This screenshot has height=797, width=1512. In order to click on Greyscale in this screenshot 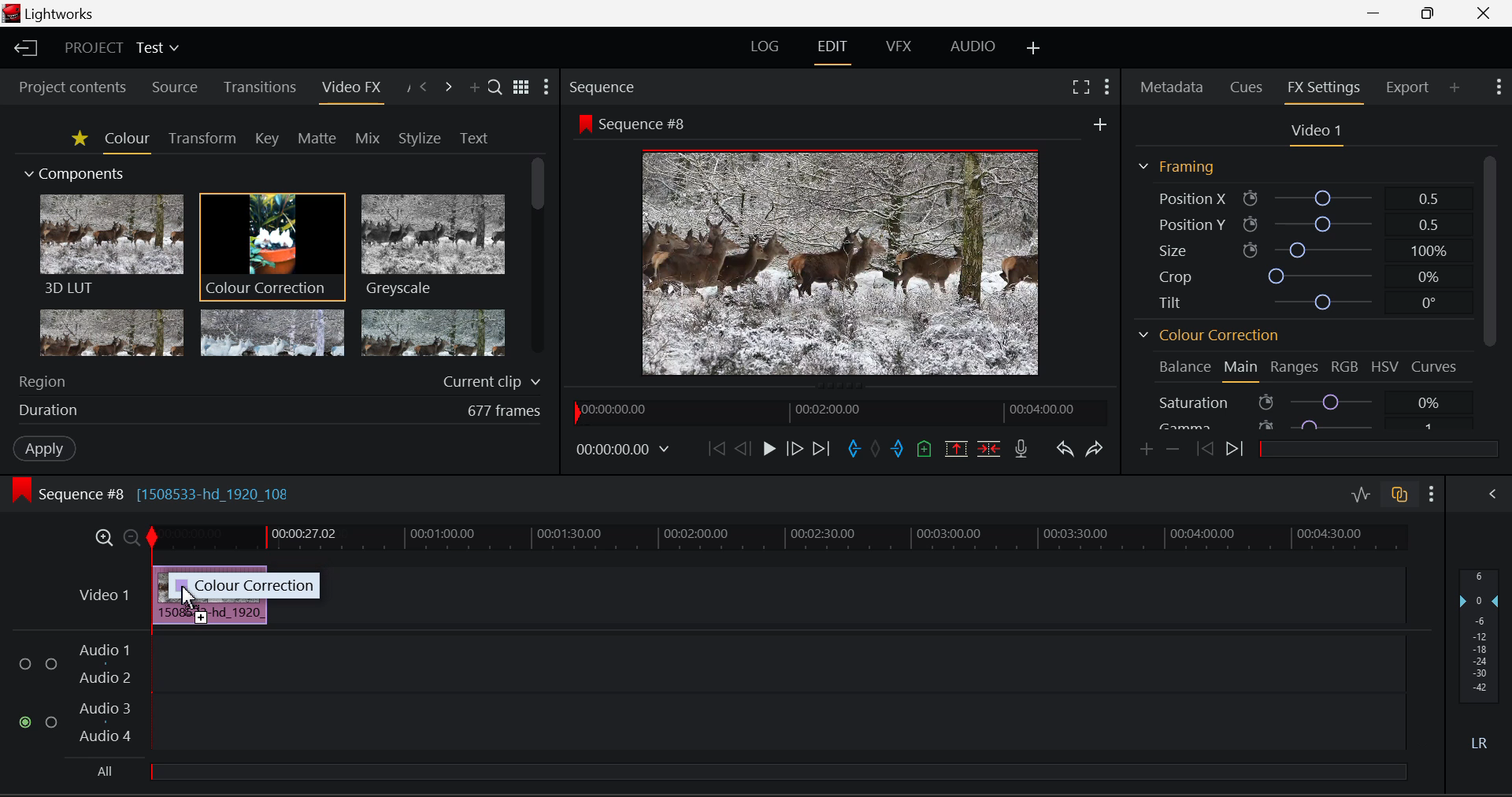, I will do `click(431, 247)`.